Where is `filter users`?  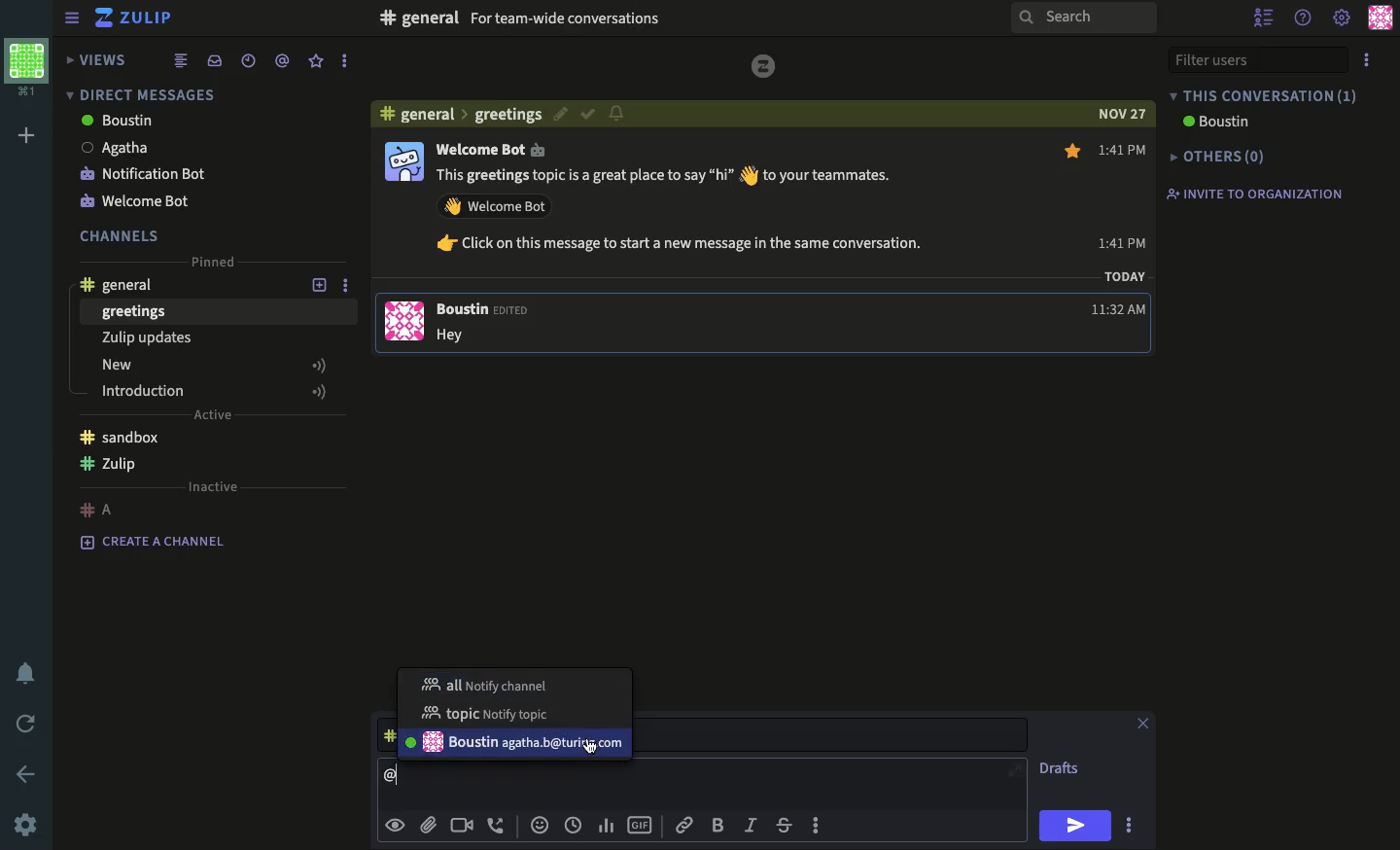
filter users is located at coordinates (1256, 60).